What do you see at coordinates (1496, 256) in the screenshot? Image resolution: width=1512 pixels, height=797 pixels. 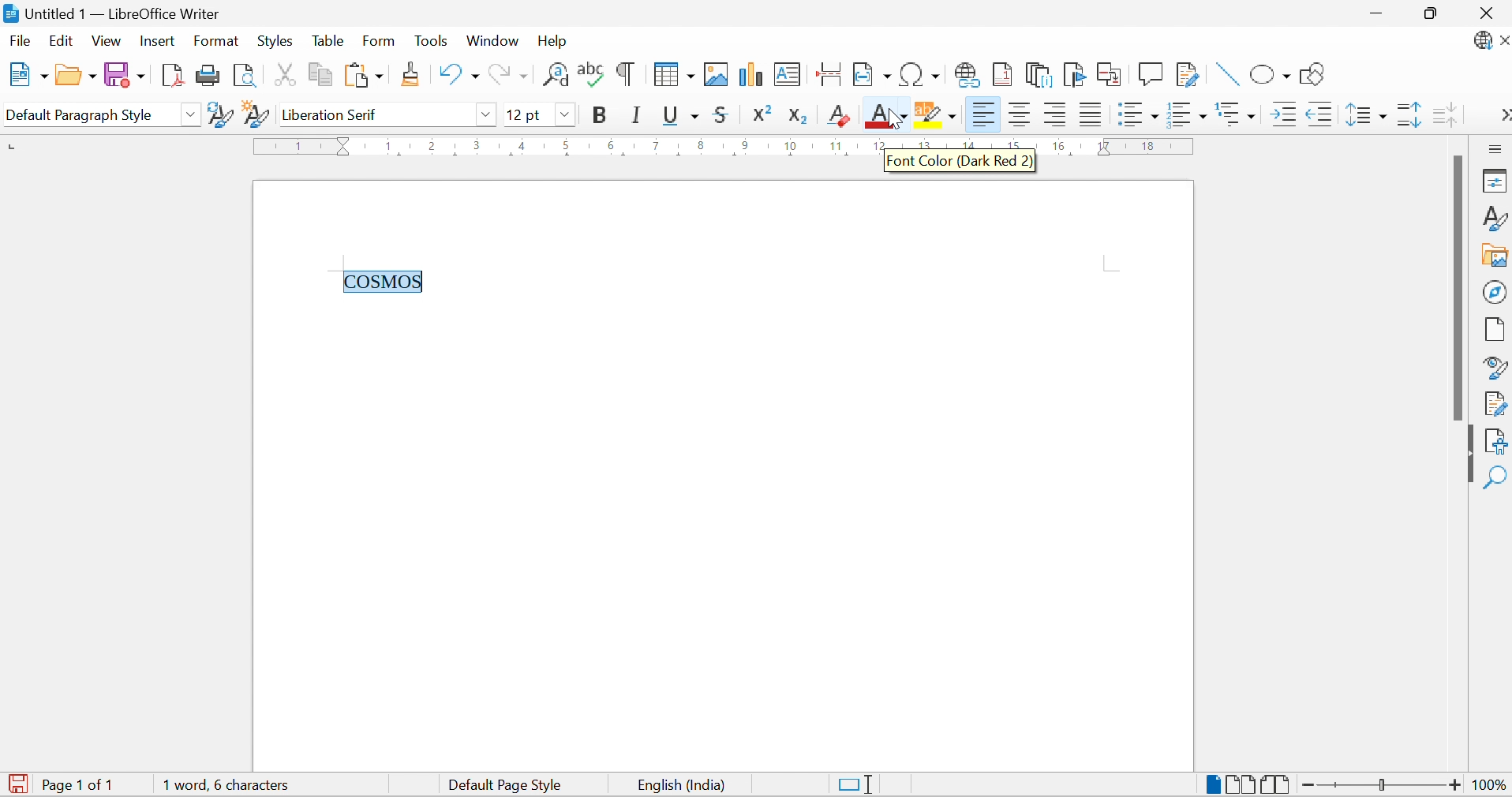 I see `Gallery` at bounding box center [1496, 256].